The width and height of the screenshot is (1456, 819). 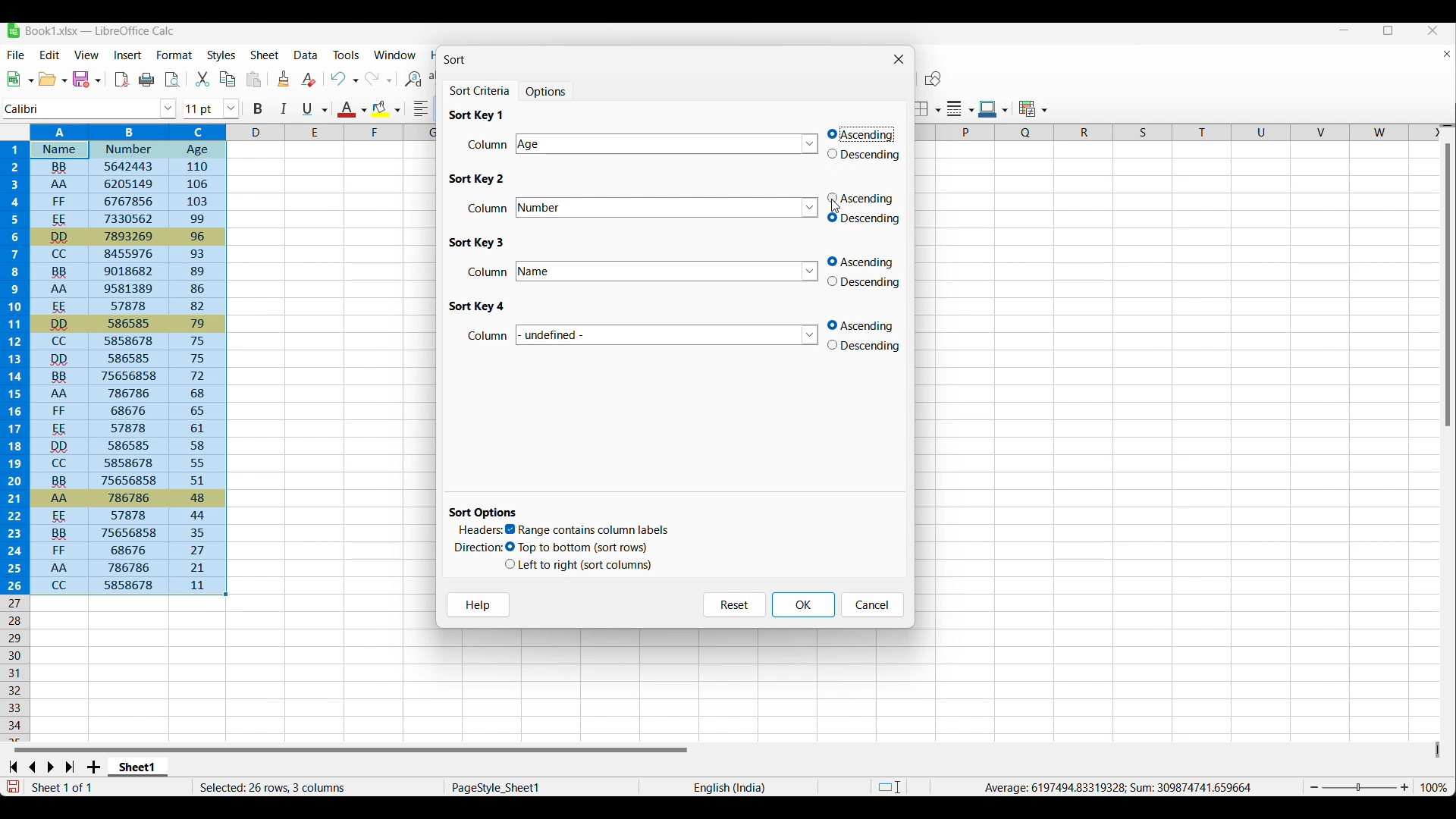 What do you see at coordinates (174, 80) in the screenshot?
I see `Toggle print preview` at bounding box center [174, 80].